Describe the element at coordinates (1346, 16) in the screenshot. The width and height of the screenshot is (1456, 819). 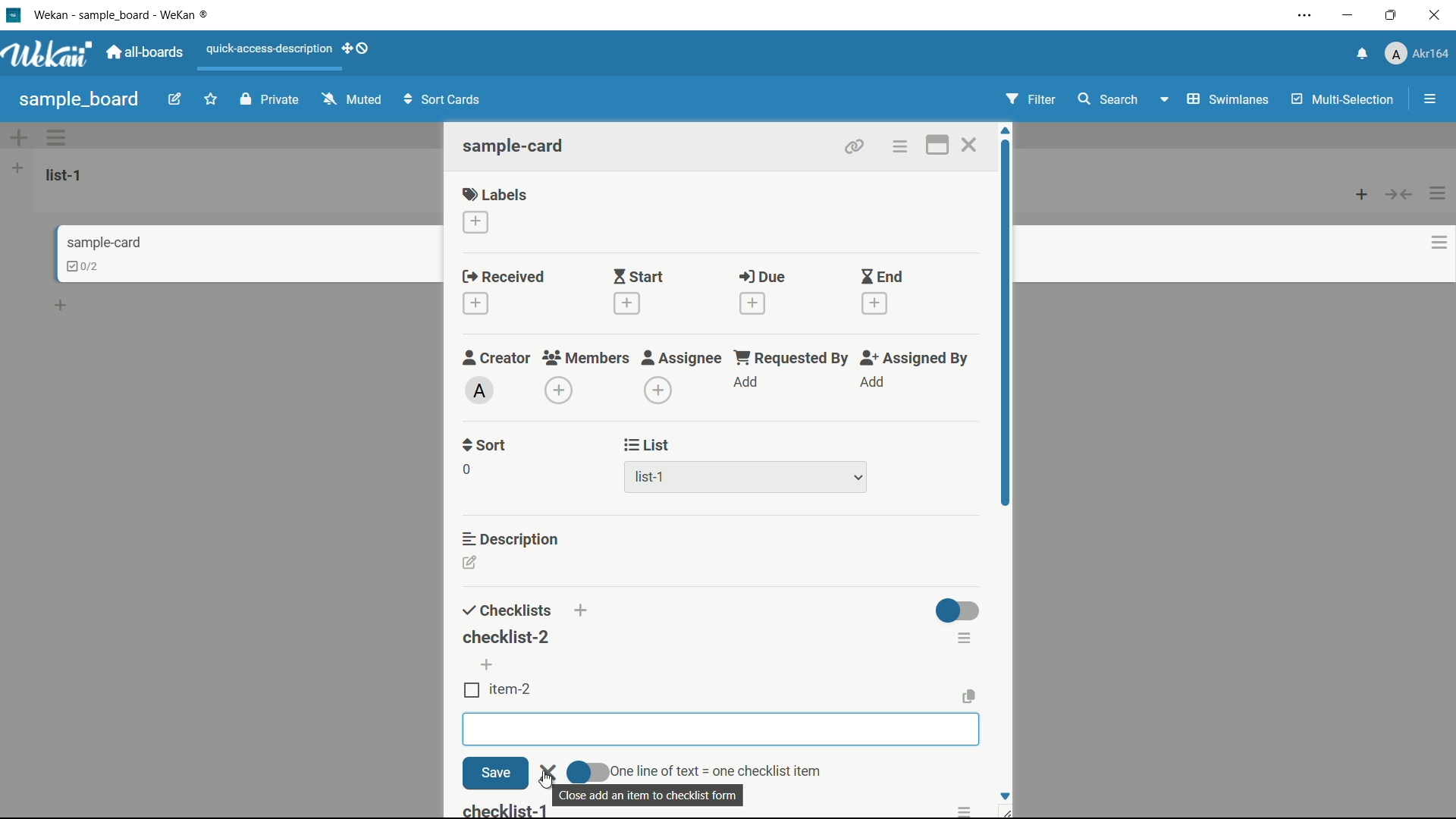
I see `minimize` at that location.